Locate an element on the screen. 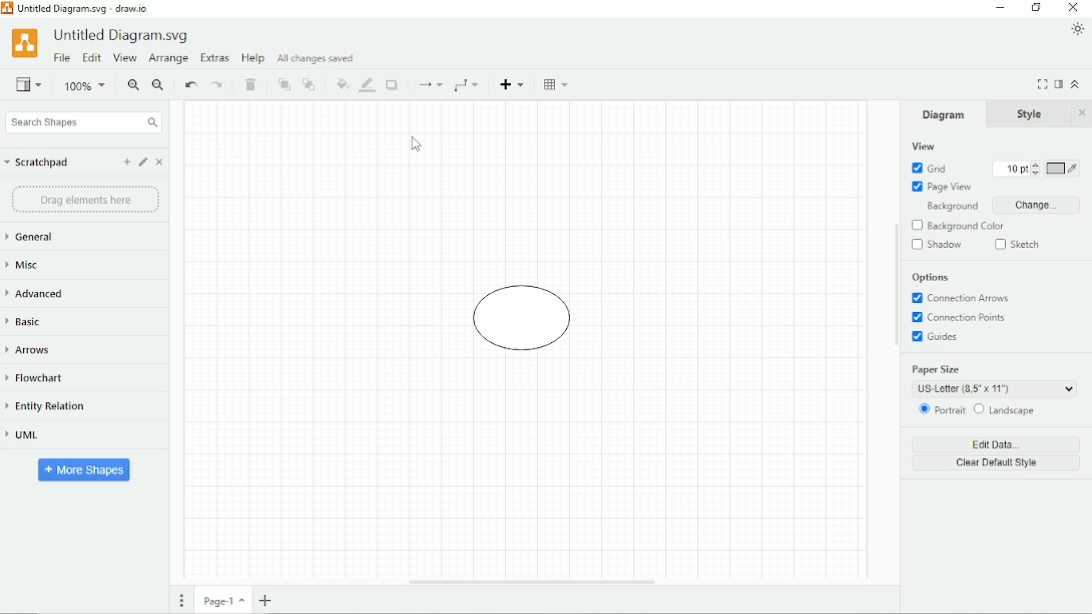  Entity Relation is located at coordinates (46, 406).